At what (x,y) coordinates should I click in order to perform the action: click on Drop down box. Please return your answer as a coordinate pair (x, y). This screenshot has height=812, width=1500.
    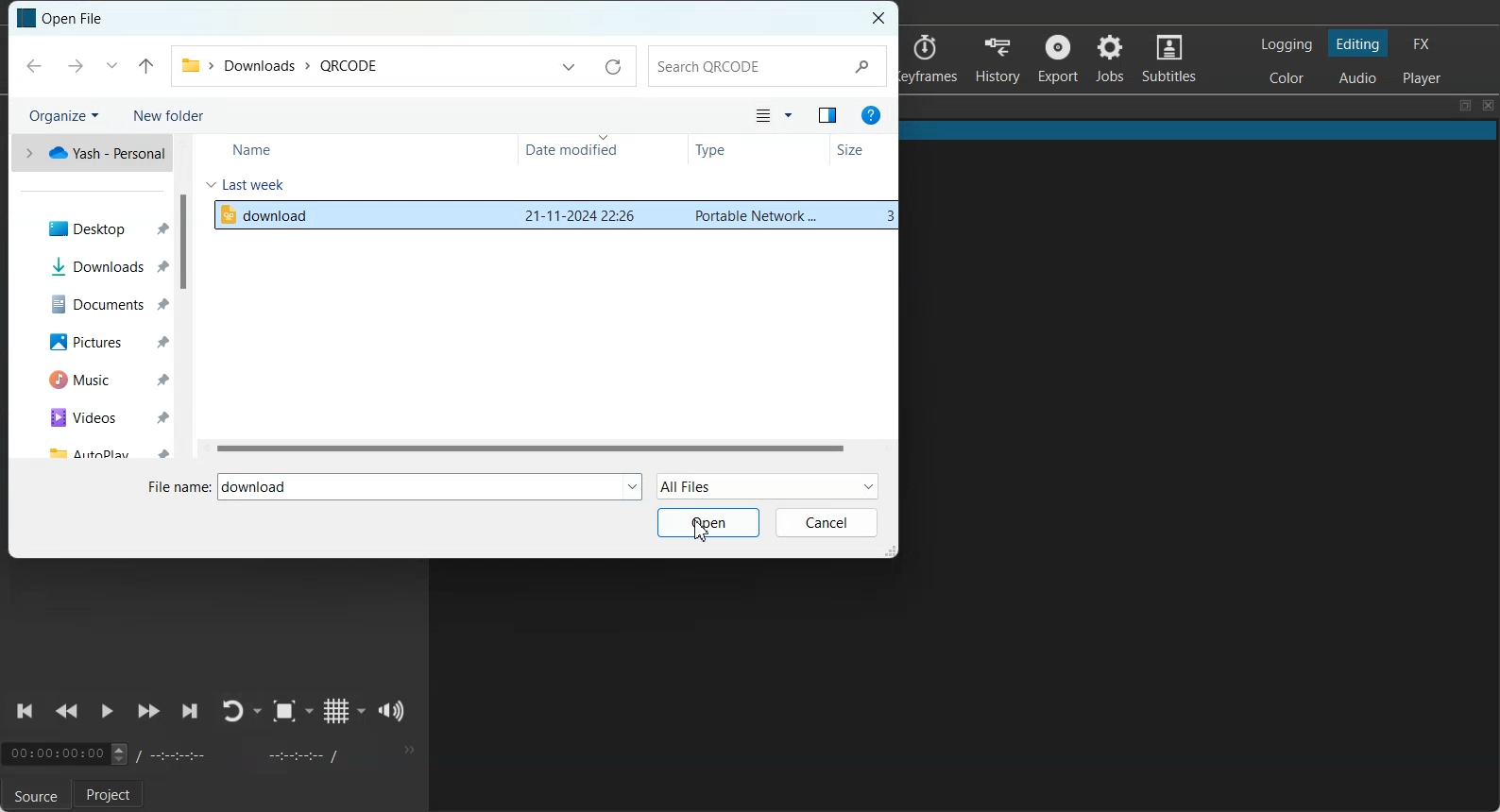
    Looking at the image, I should click on (259, 711).